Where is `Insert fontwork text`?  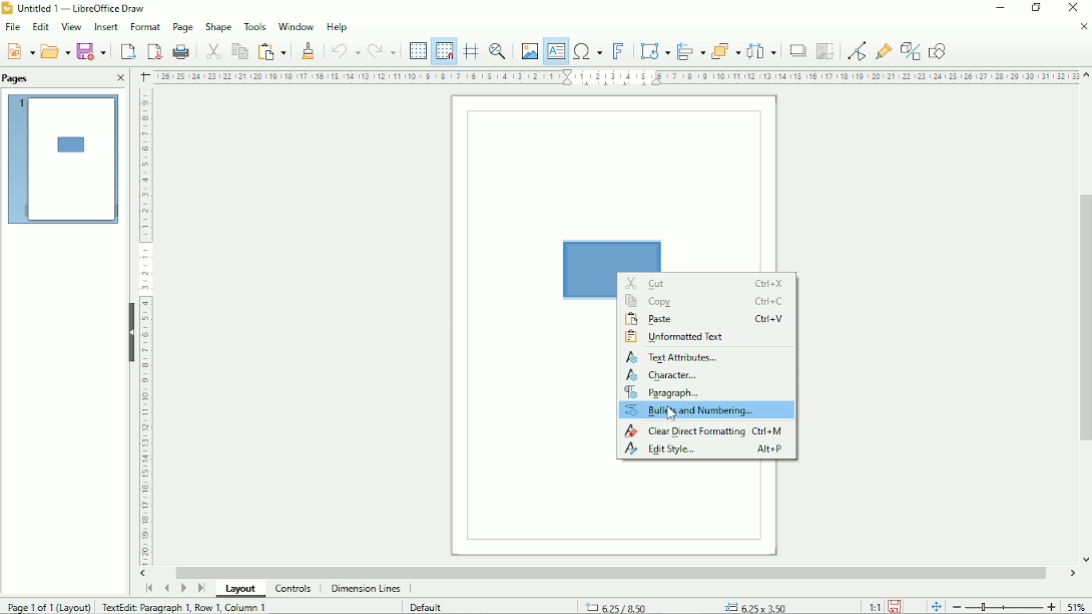 Insert fontwork text is located at coordinates (620, 51).